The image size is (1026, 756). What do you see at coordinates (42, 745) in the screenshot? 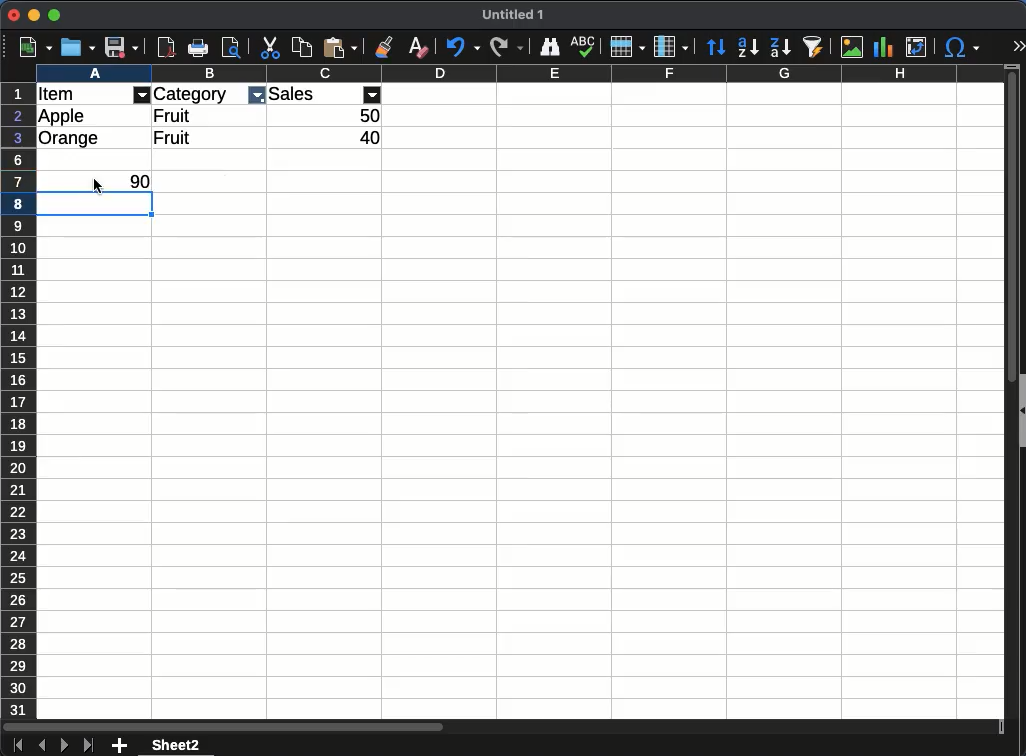
I see `previous sheet` at bounding box center [42, 745].